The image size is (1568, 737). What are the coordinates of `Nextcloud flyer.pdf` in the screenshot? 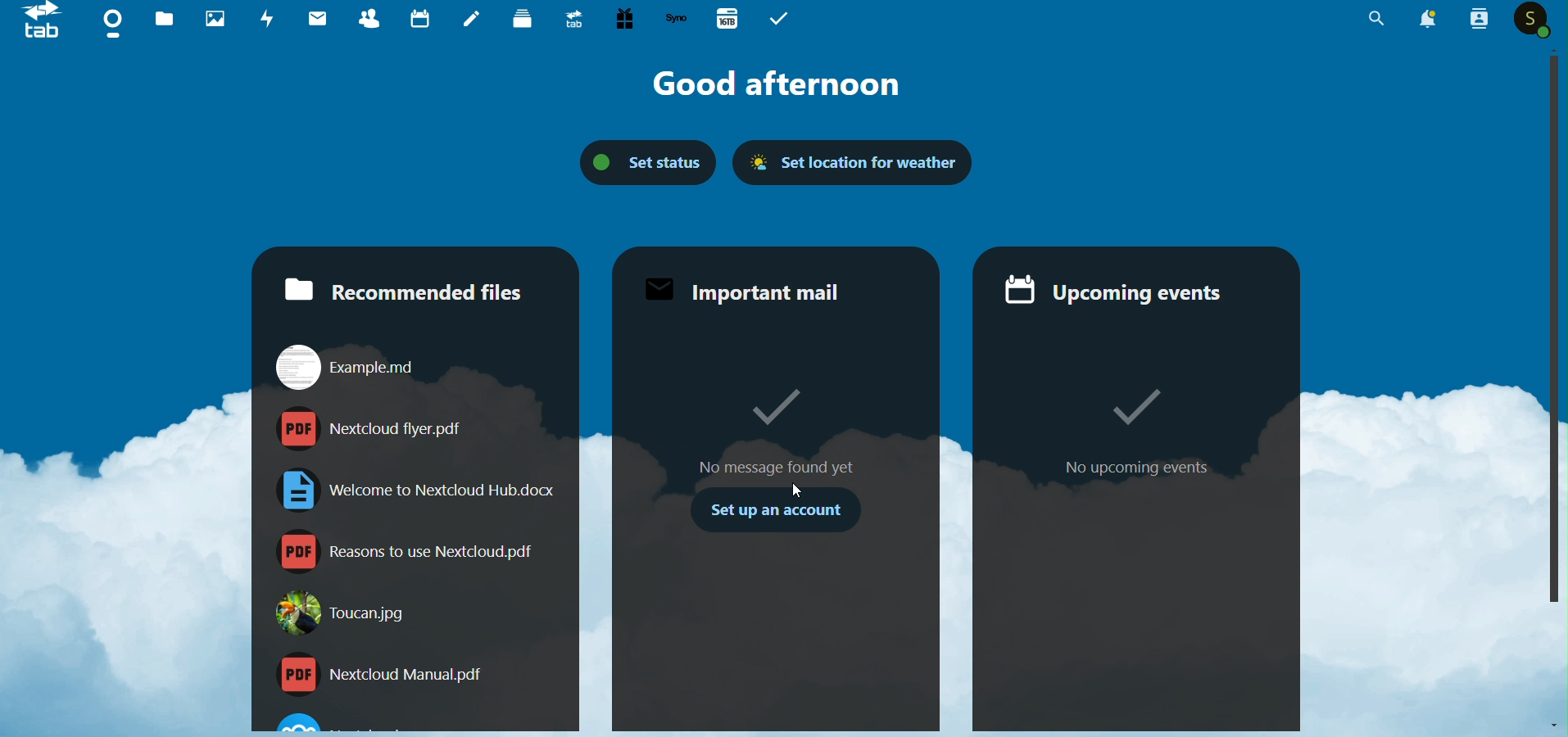 It's located at (375, 431).